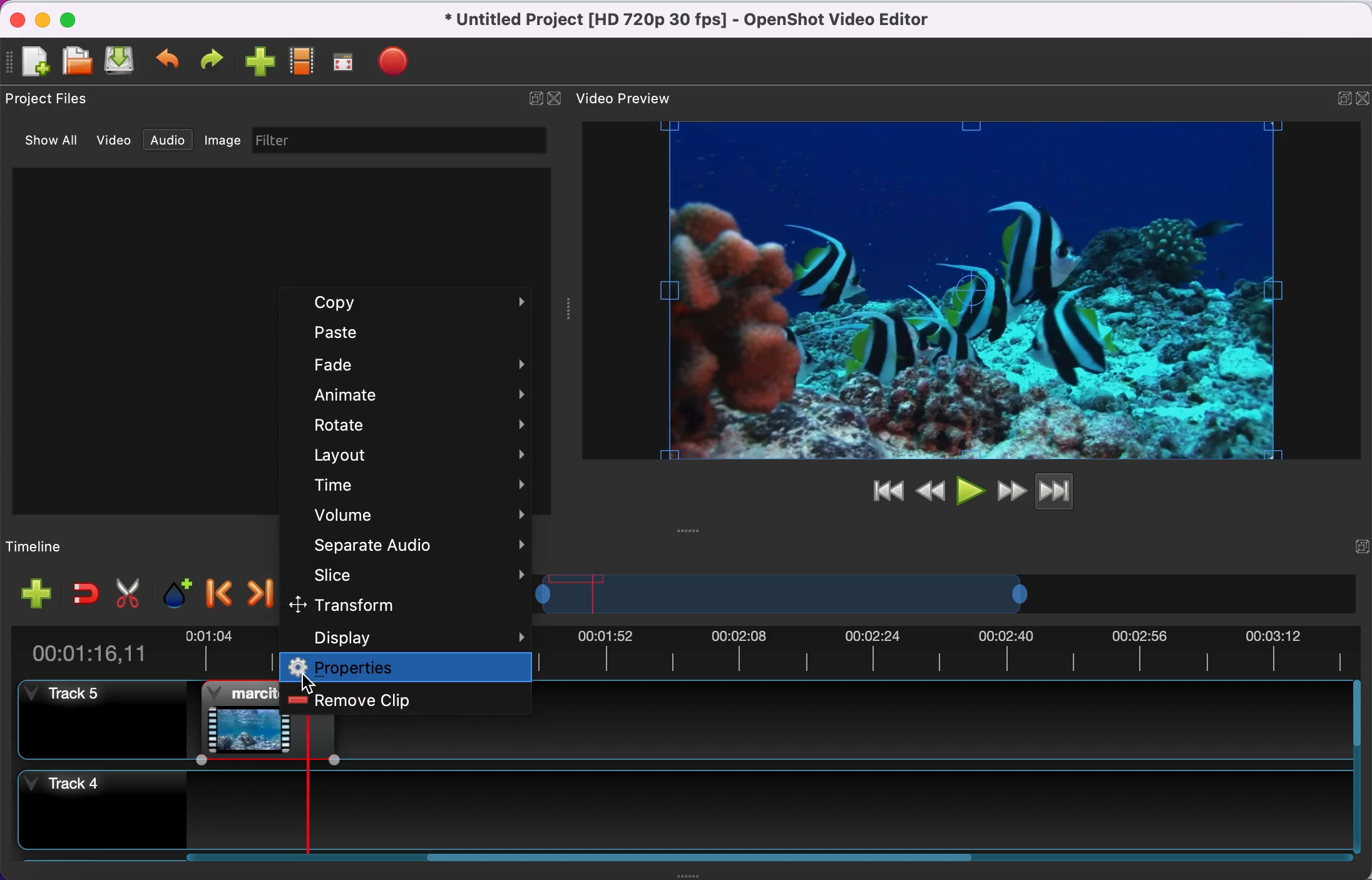 The image size is (1372, 880). I want to click on track 5, so click(99, 719).